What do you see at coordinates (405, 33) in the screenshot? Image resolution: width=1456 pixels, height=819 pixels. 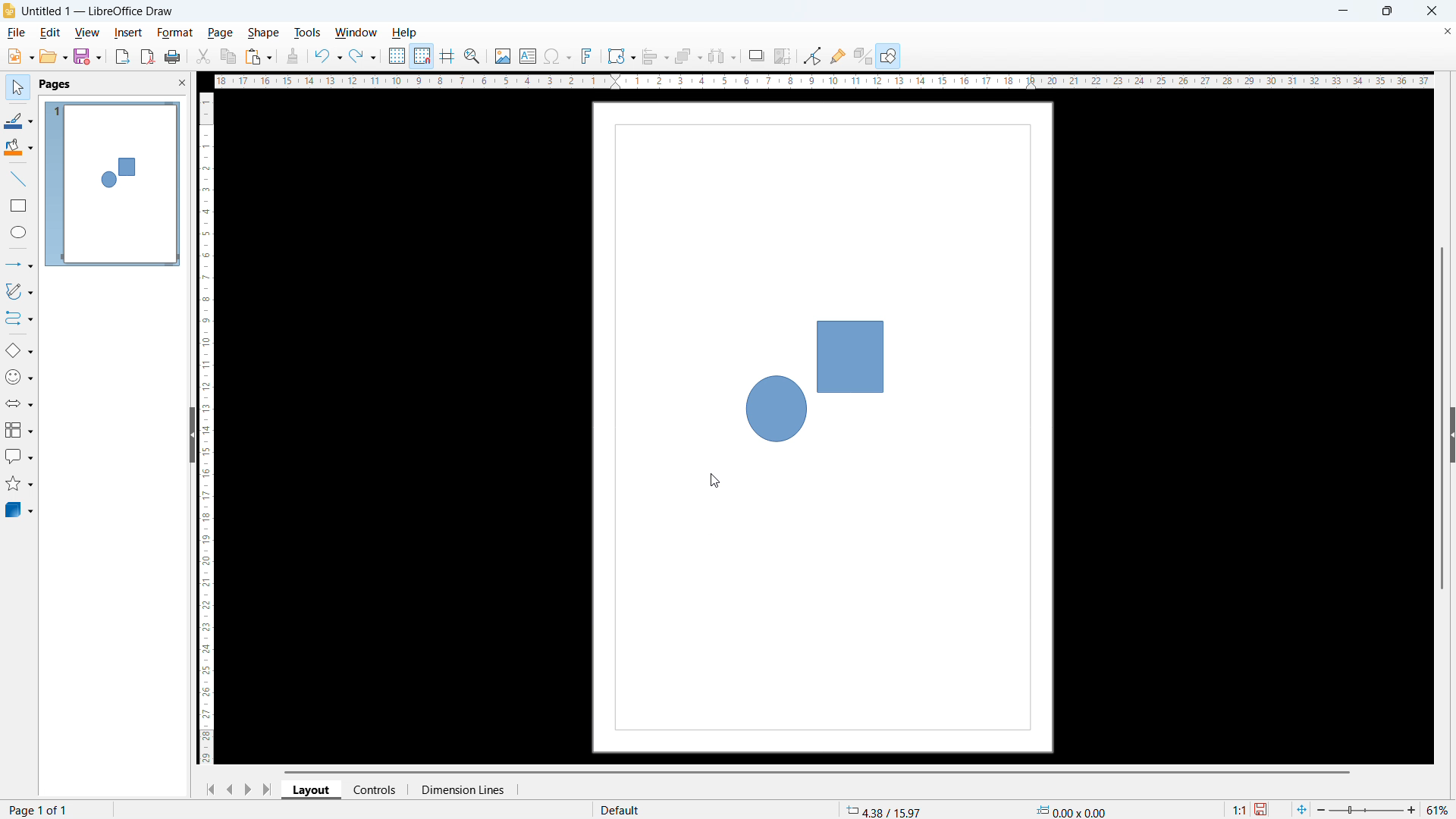 I see `help` at bounding box center [405, 33].